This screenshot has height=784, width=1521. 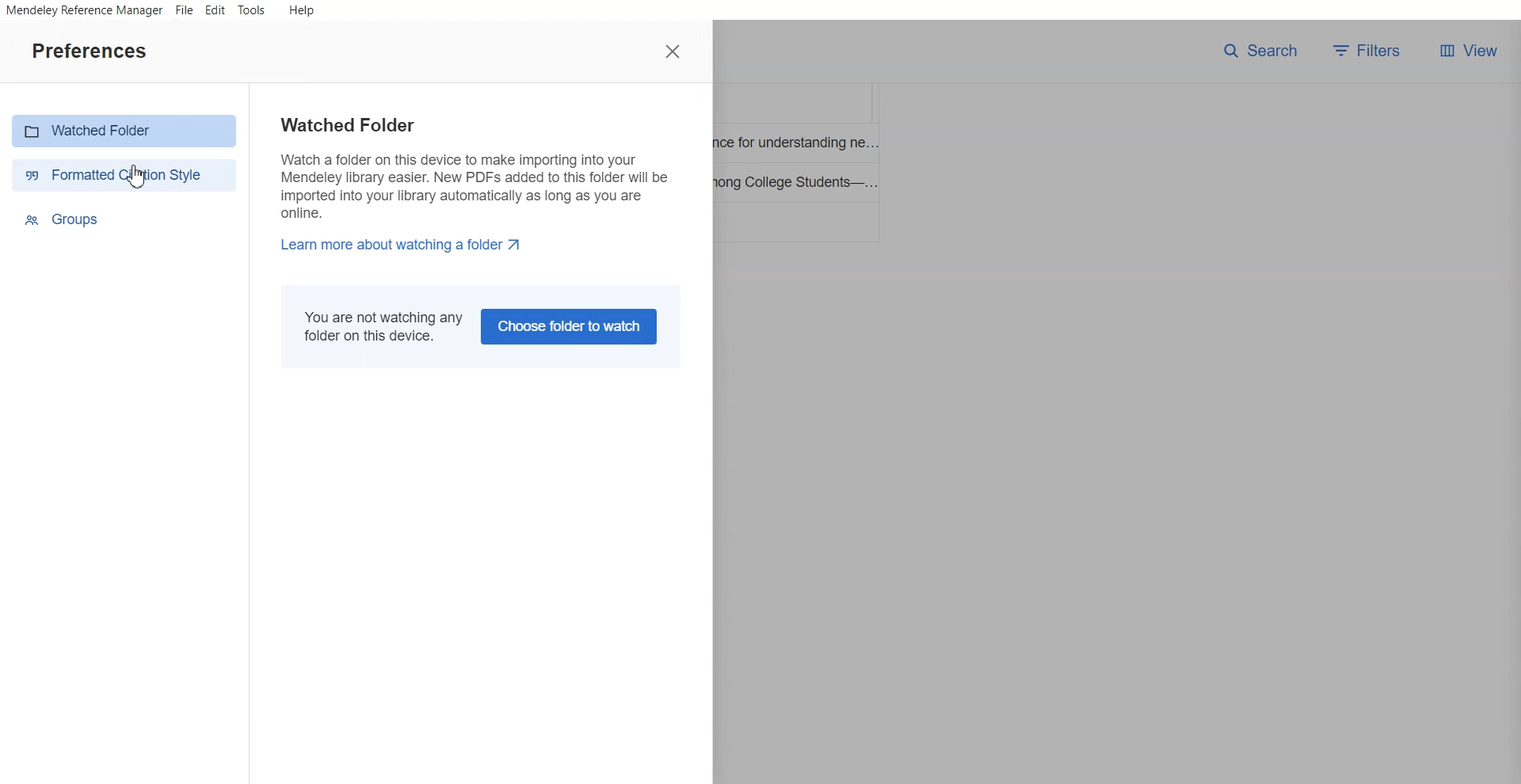 I want to click on Choose folder to watch, so click(x=572, y=326).